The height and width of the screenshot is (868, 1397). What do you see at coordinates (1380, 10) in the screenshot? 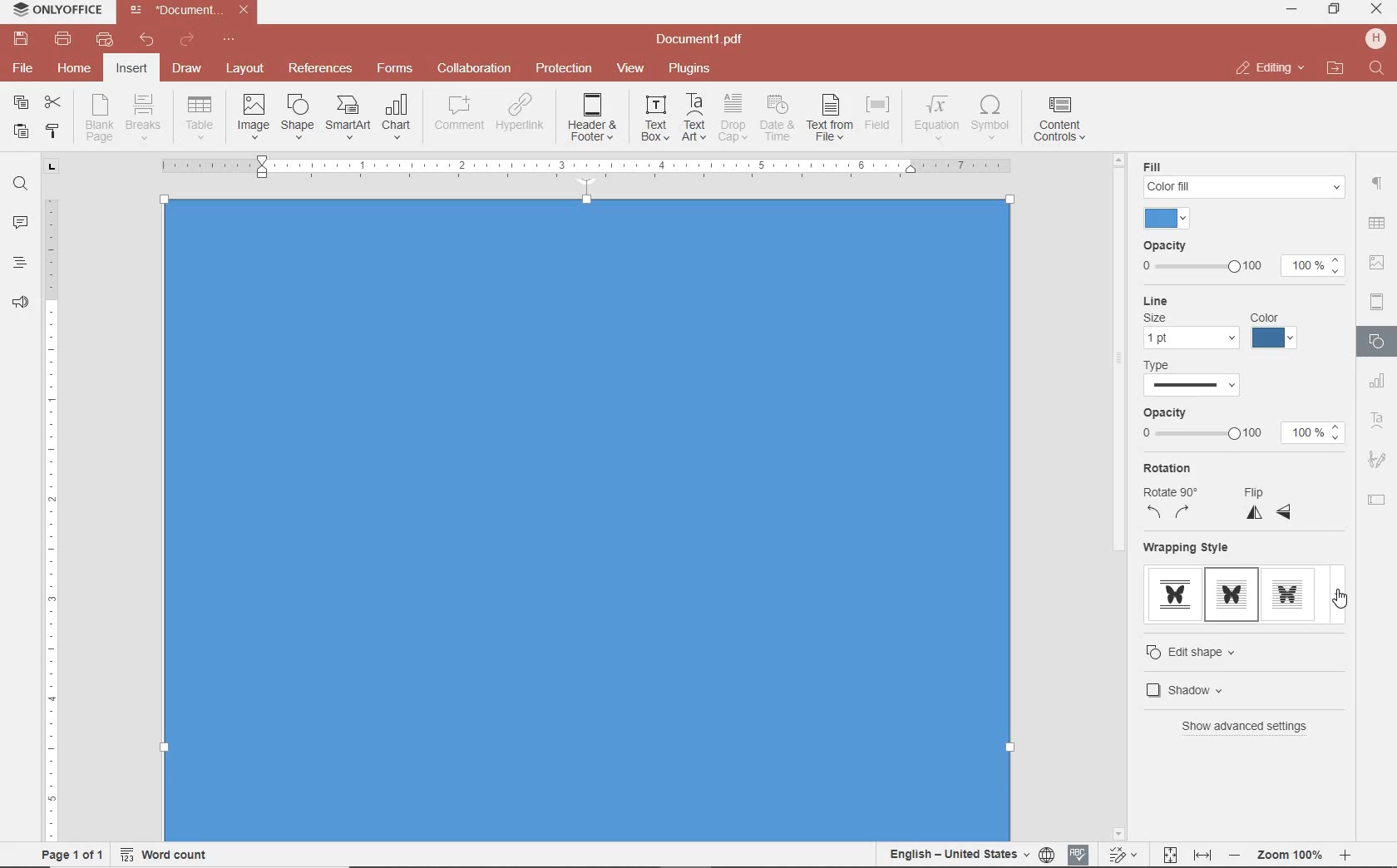
I see `minimize ,restore ,close` at bounding box center [1380, 10].